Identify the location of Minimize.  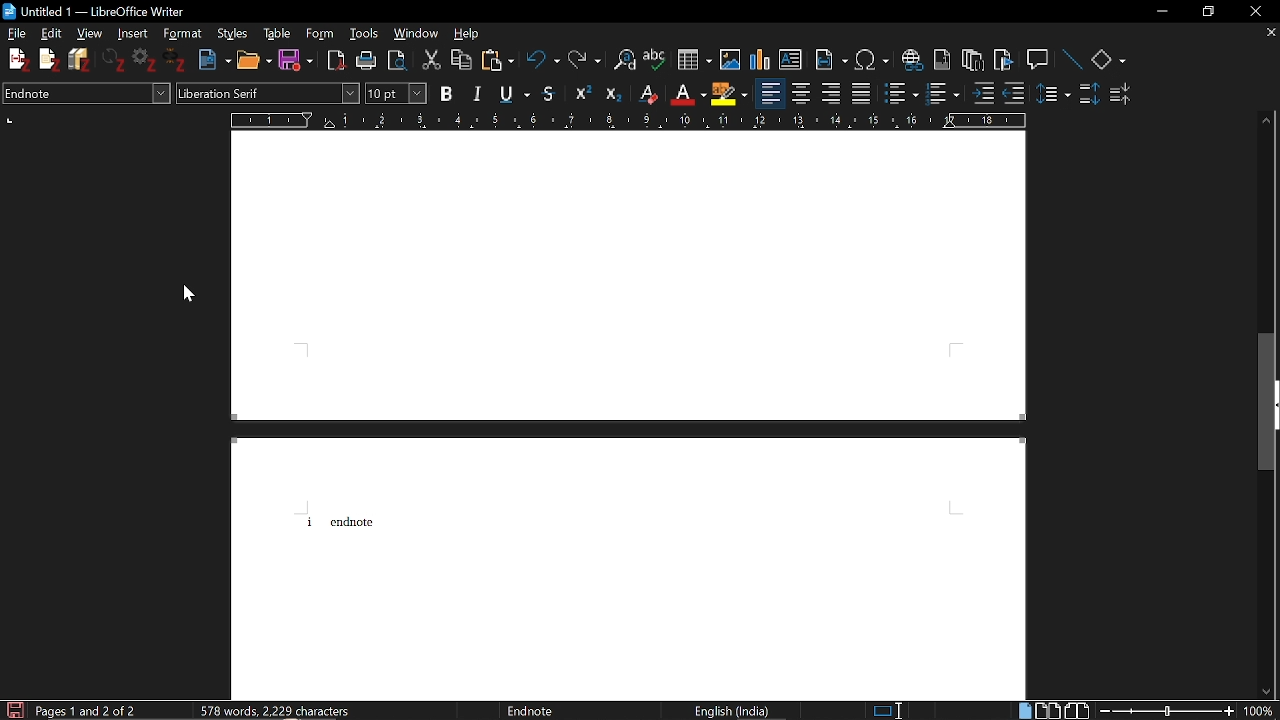
(1158, 13).